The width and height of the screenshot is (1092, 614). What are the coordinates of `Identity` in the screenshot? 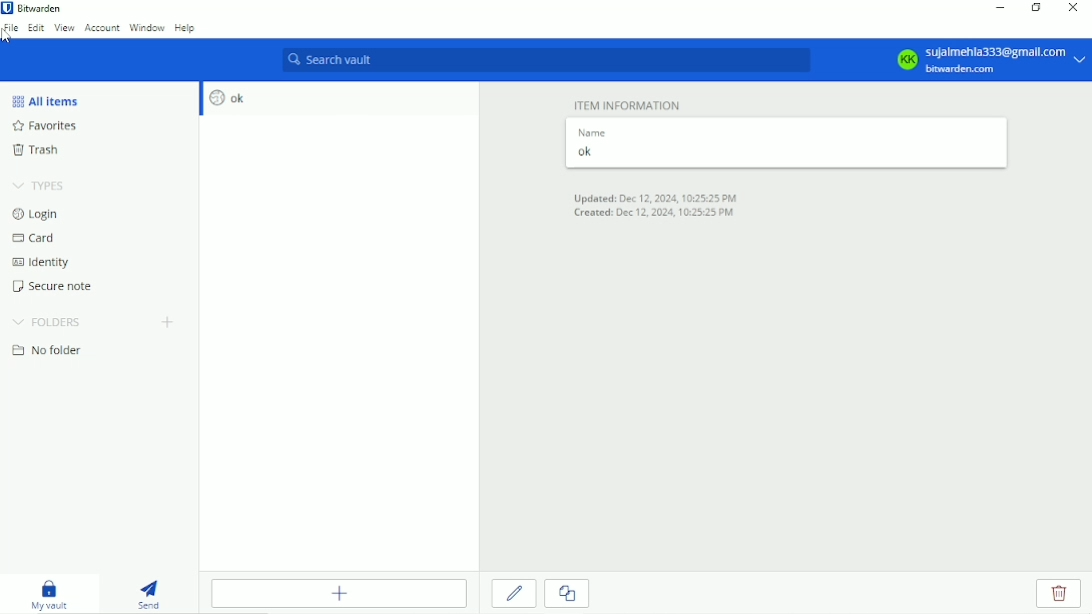 It's located at (47, 264).